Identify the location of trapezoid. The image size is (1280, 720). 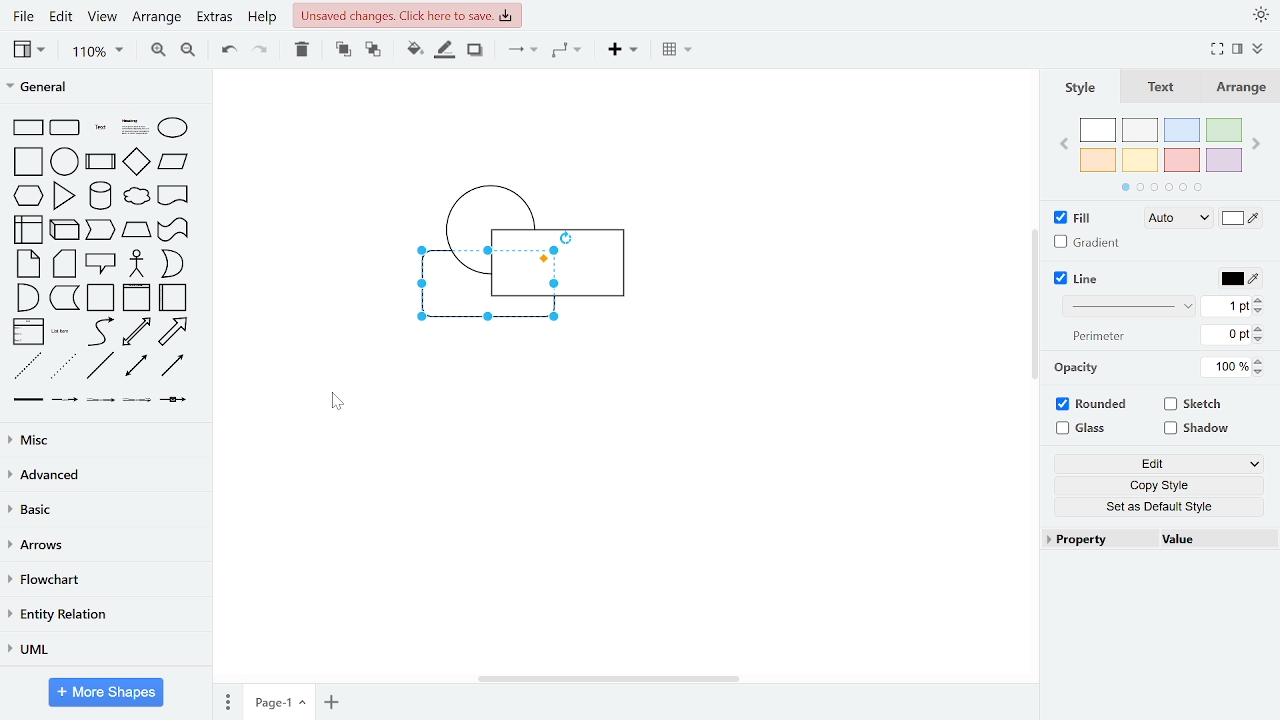
(137, 231).